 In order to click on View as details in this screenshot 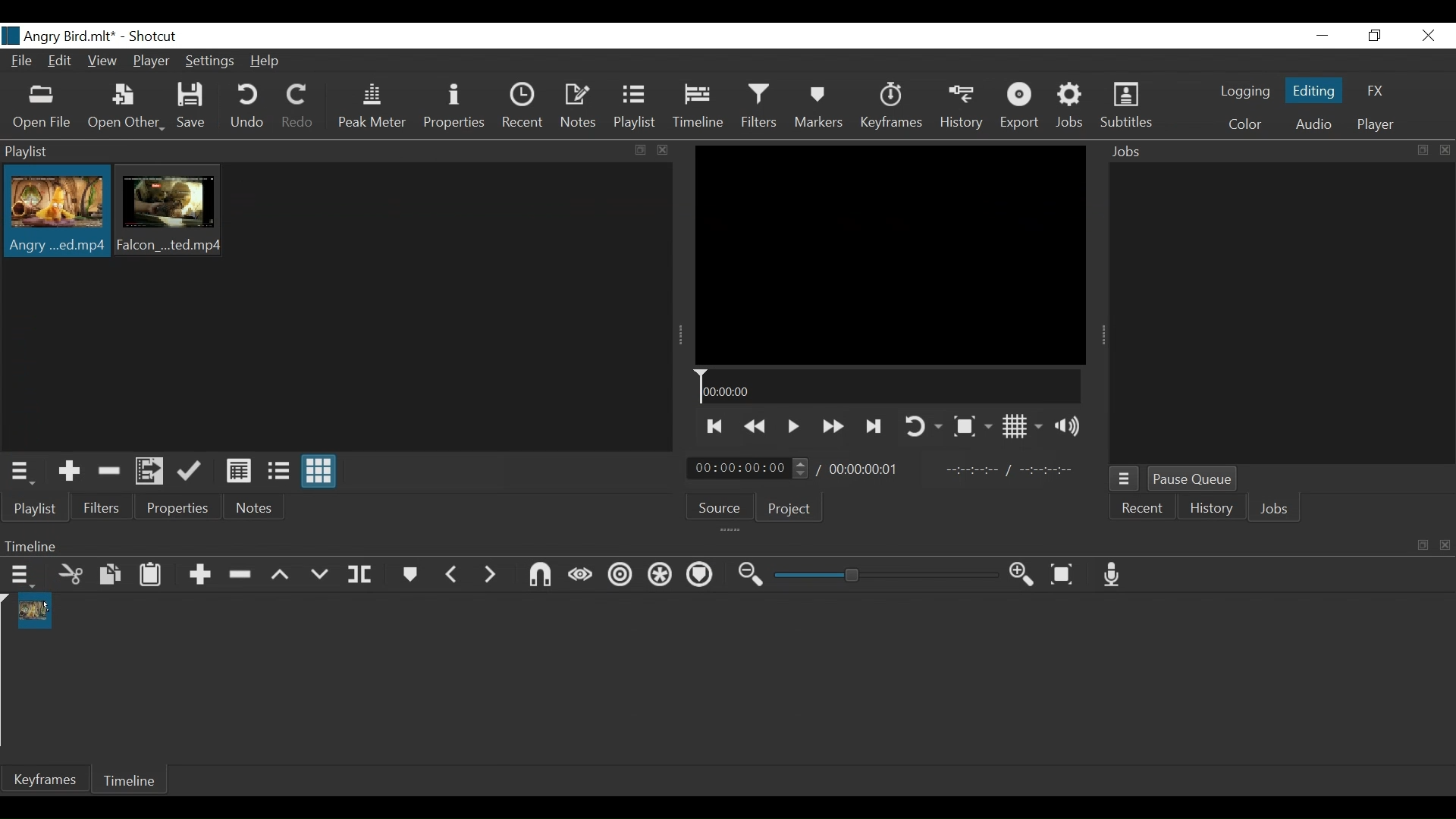, I will do `click(240, 472)`.